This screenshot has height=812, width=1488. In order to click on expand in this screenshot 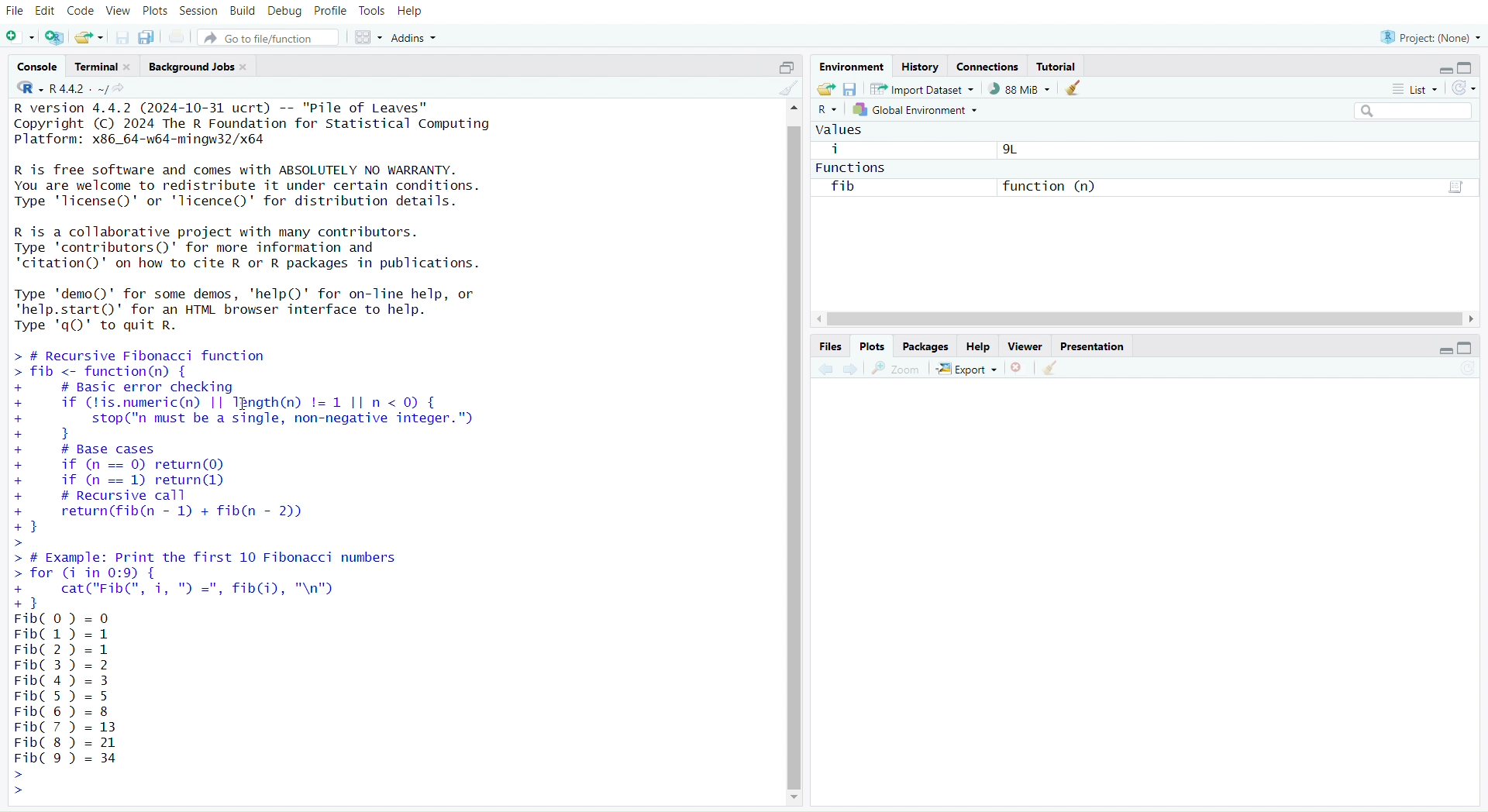, I will do `click(1440, 351)`.